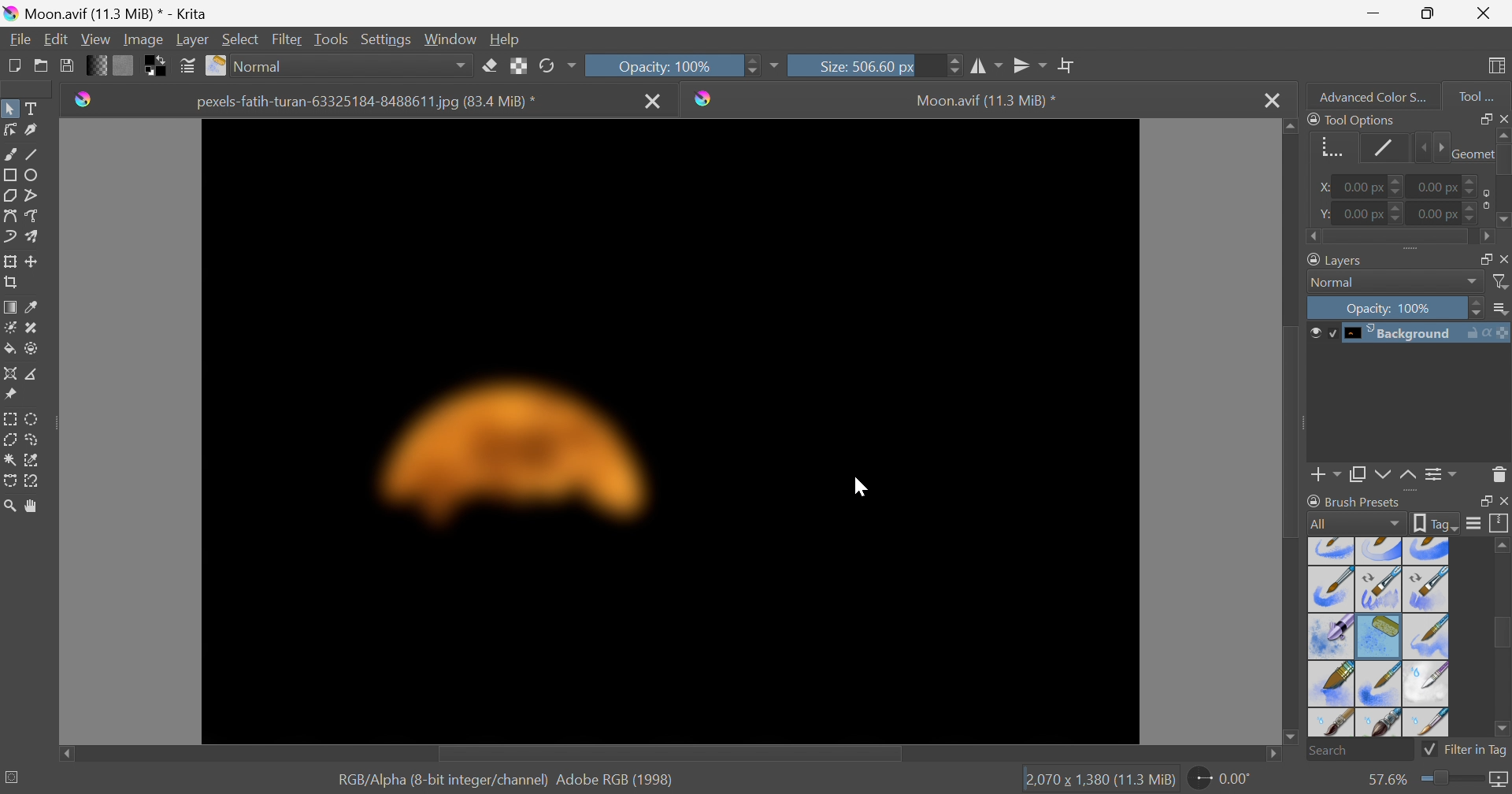 This screenshot has width=1512, height=794. What do you see at coordinates (773, 68) in the screenshot?
I see `More` at bounding box center [773, 68].